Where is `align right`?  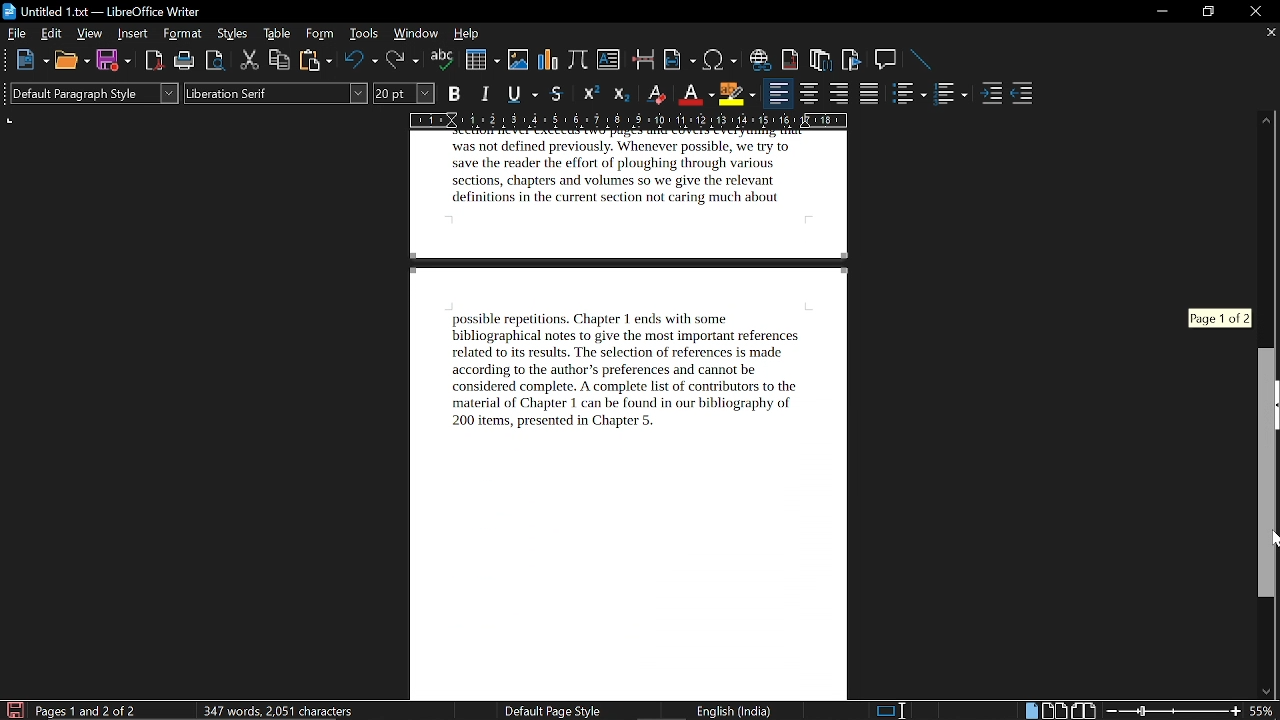 align right is located at coordinates (839, 95).